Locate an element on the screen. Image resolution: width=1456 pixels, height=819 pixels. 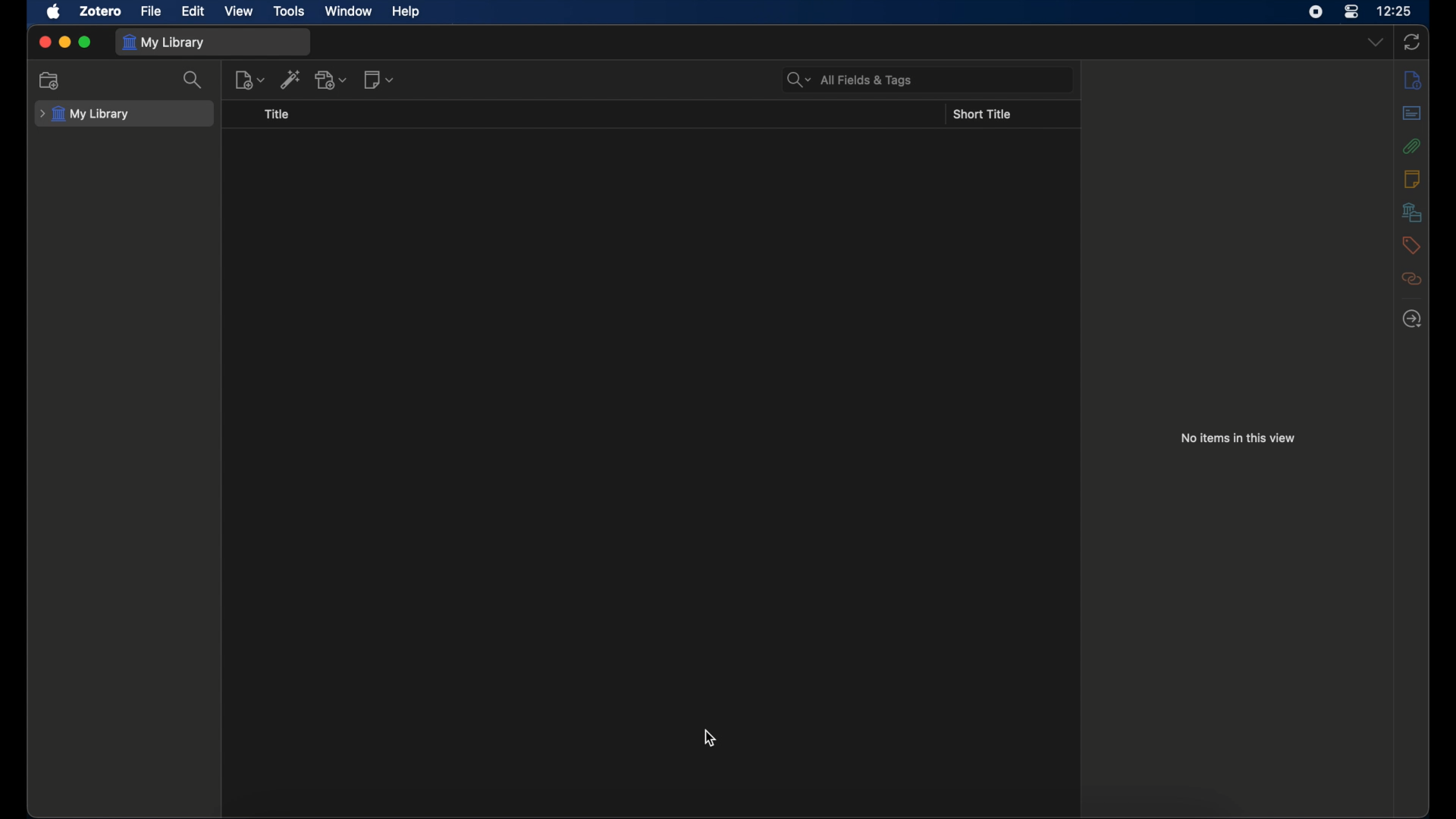
new item is located at coordinates (250, 80).